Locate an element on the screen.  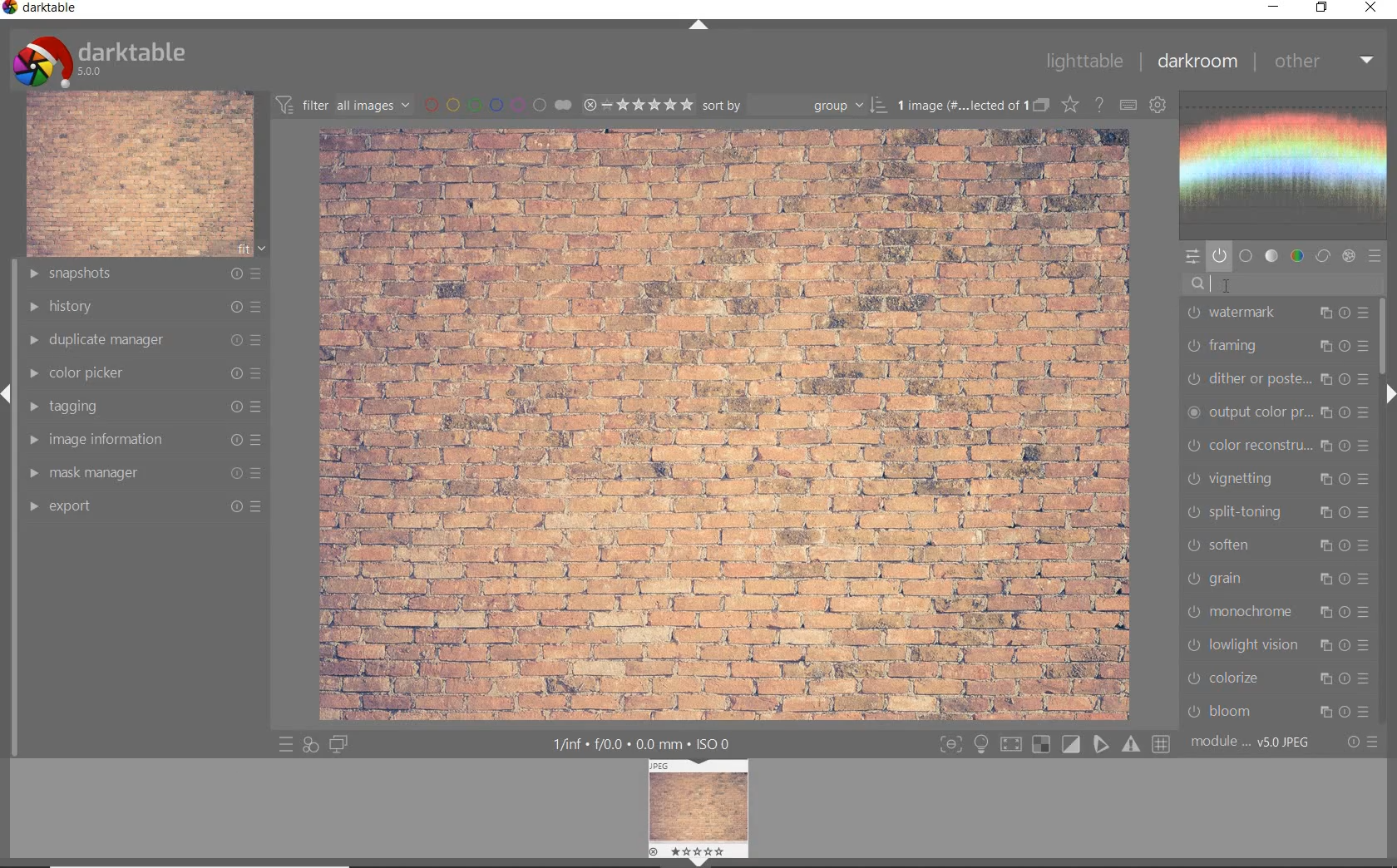
search module is located at coordinates (1283, 287).